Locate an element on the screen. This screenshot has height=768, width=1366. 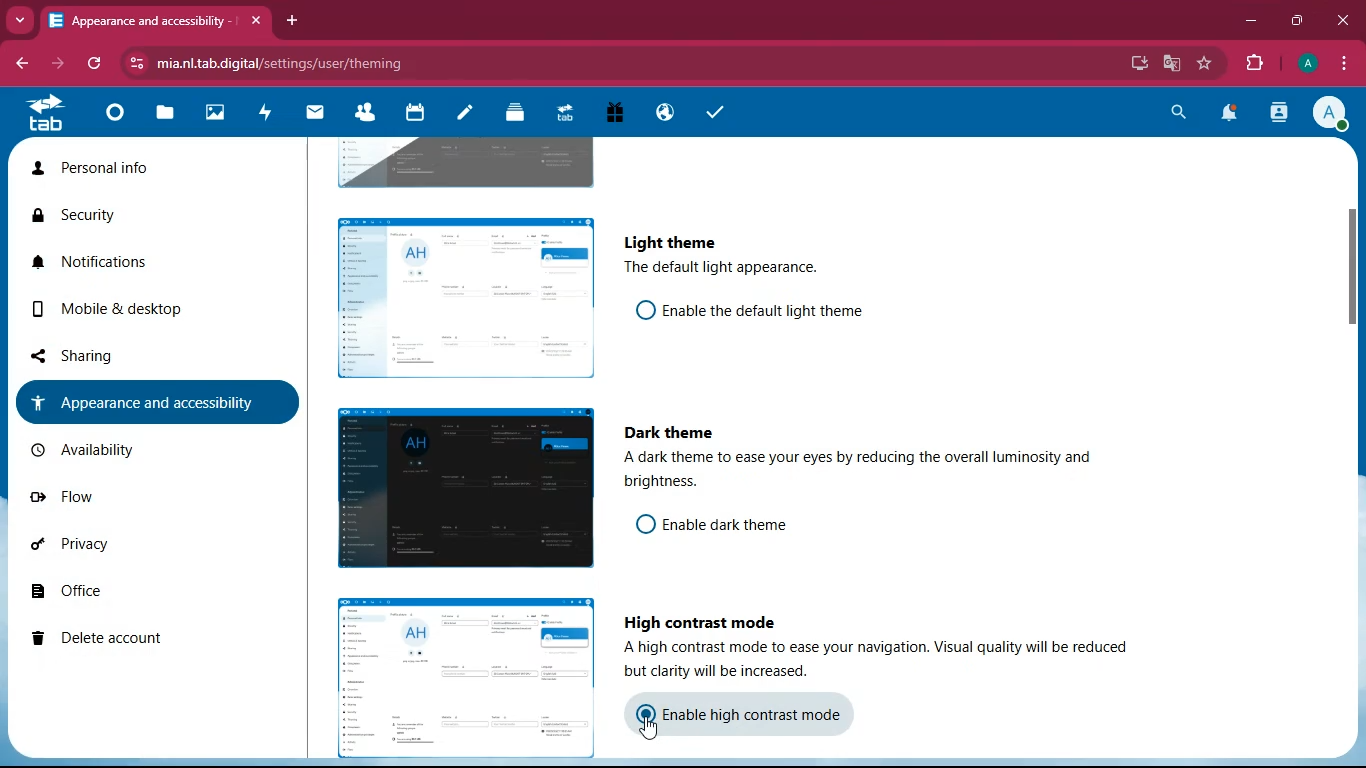
notifications is located at coordinates (112, 262).